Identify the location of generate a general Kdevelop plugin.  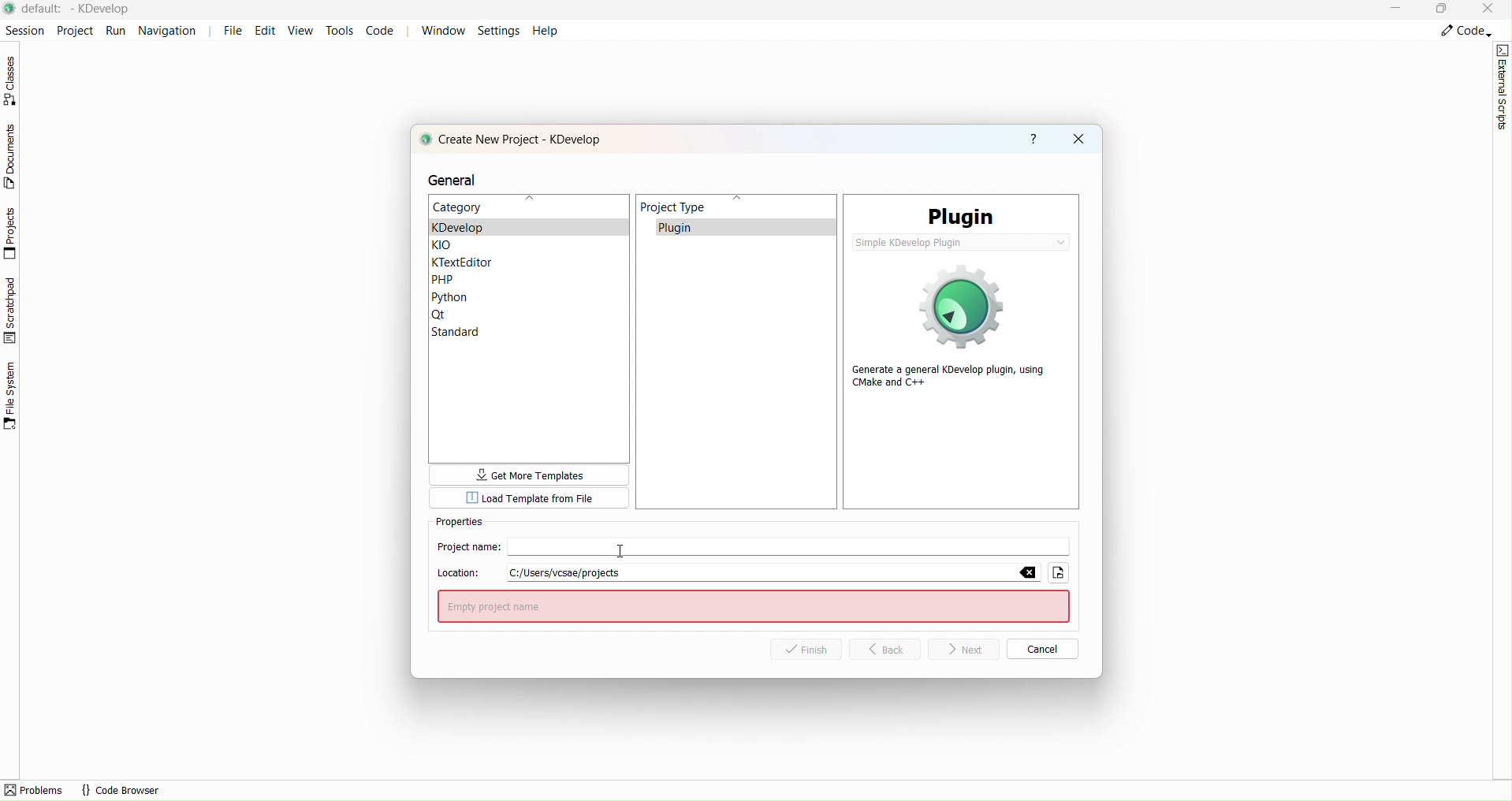
(954, 329).